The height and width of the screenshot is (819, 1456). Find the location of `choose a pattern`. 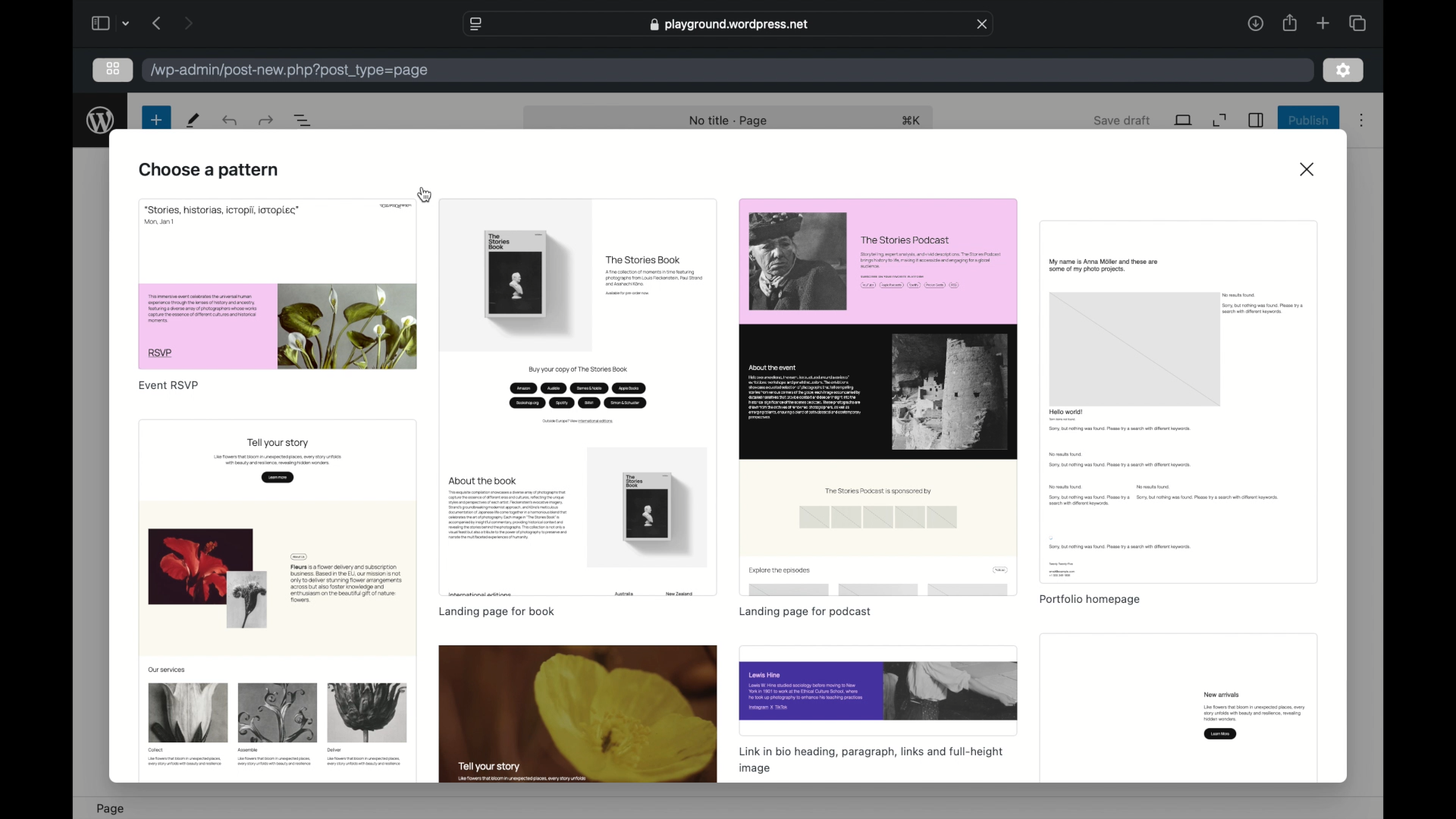

choose a pattern is located at coordinates (209, 170).